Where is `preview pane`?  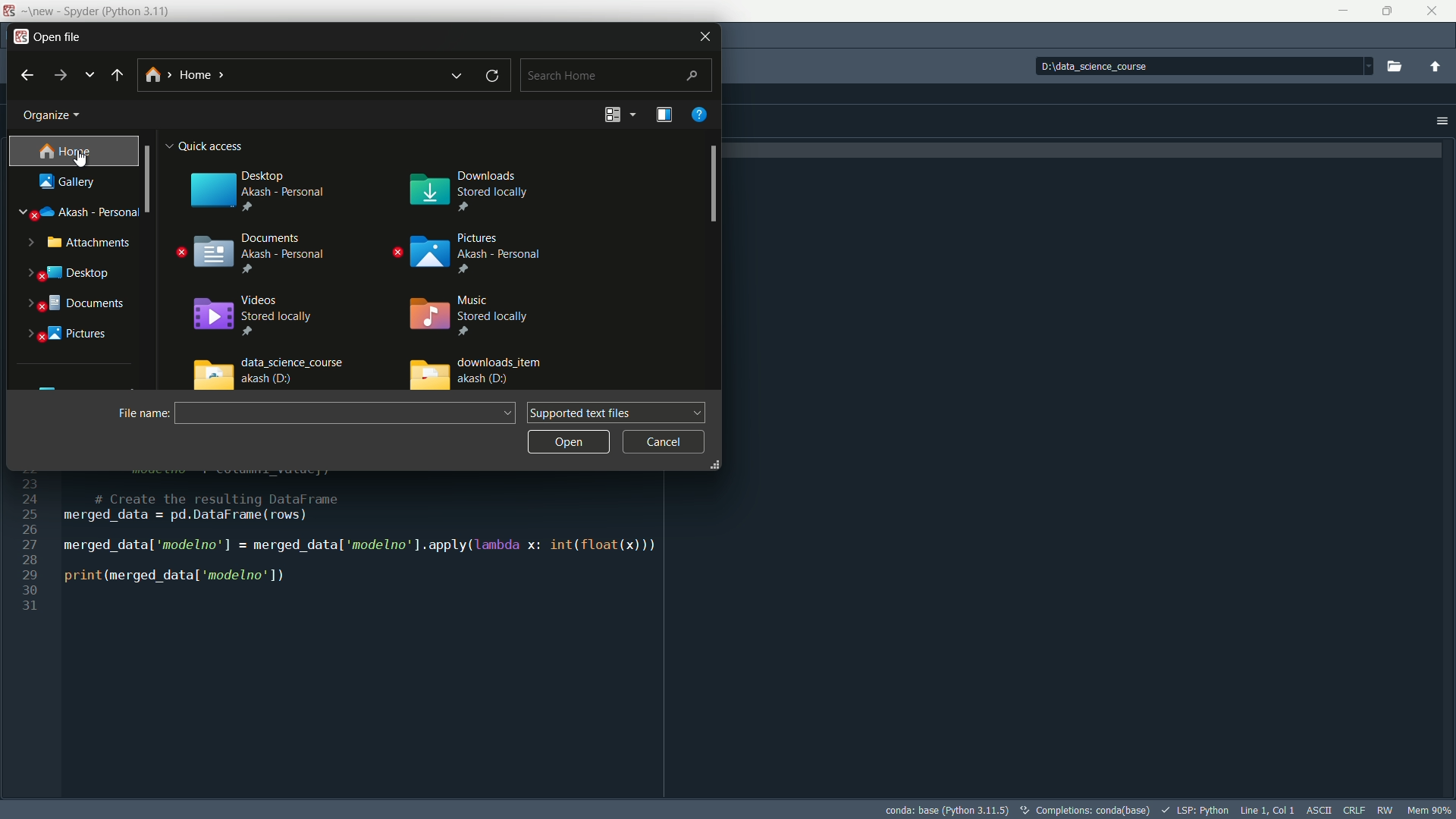
preview pane is located at coordinates (661, 115).